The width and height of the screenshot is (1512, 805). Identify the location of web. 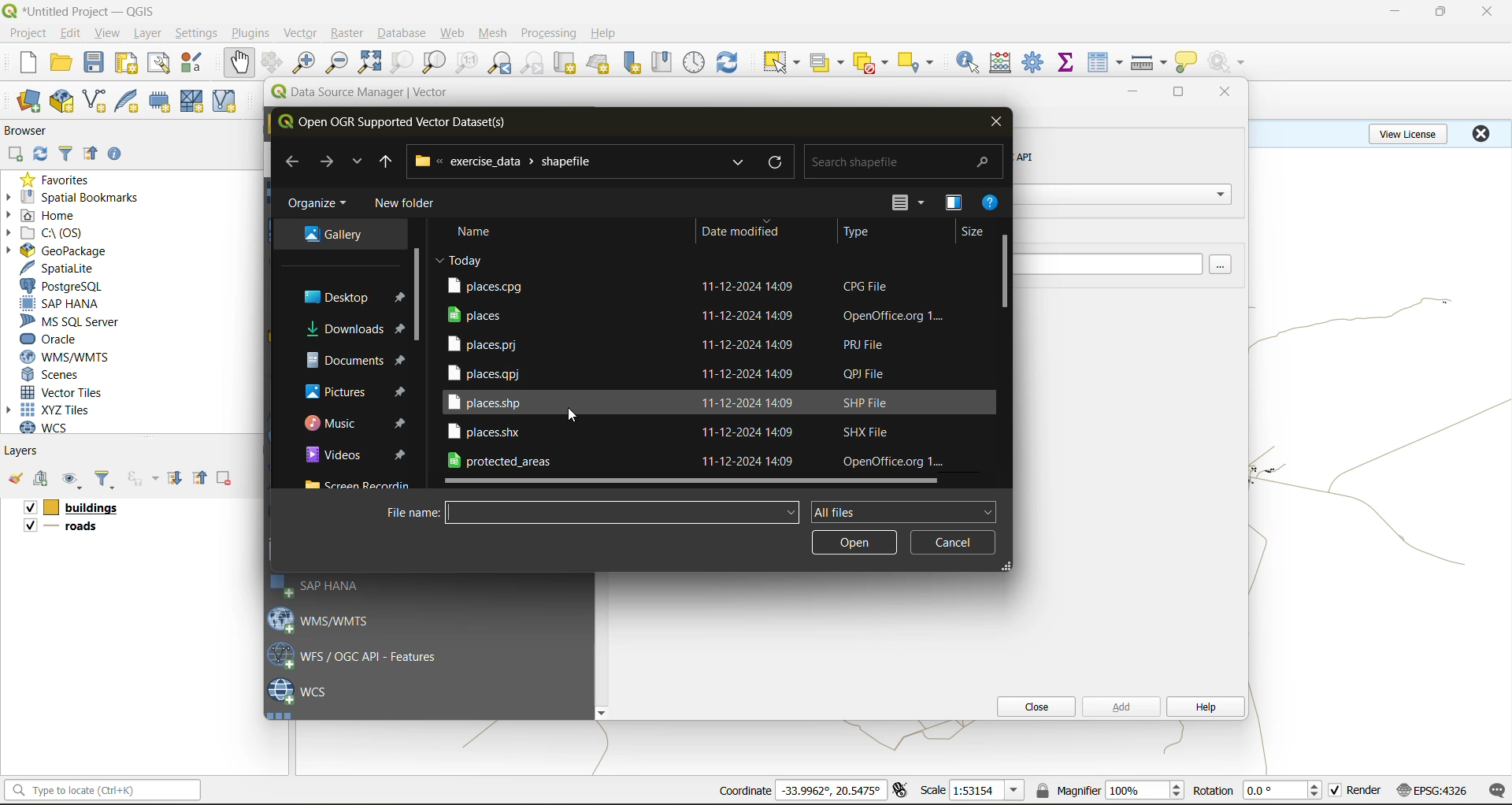
(453, 33).